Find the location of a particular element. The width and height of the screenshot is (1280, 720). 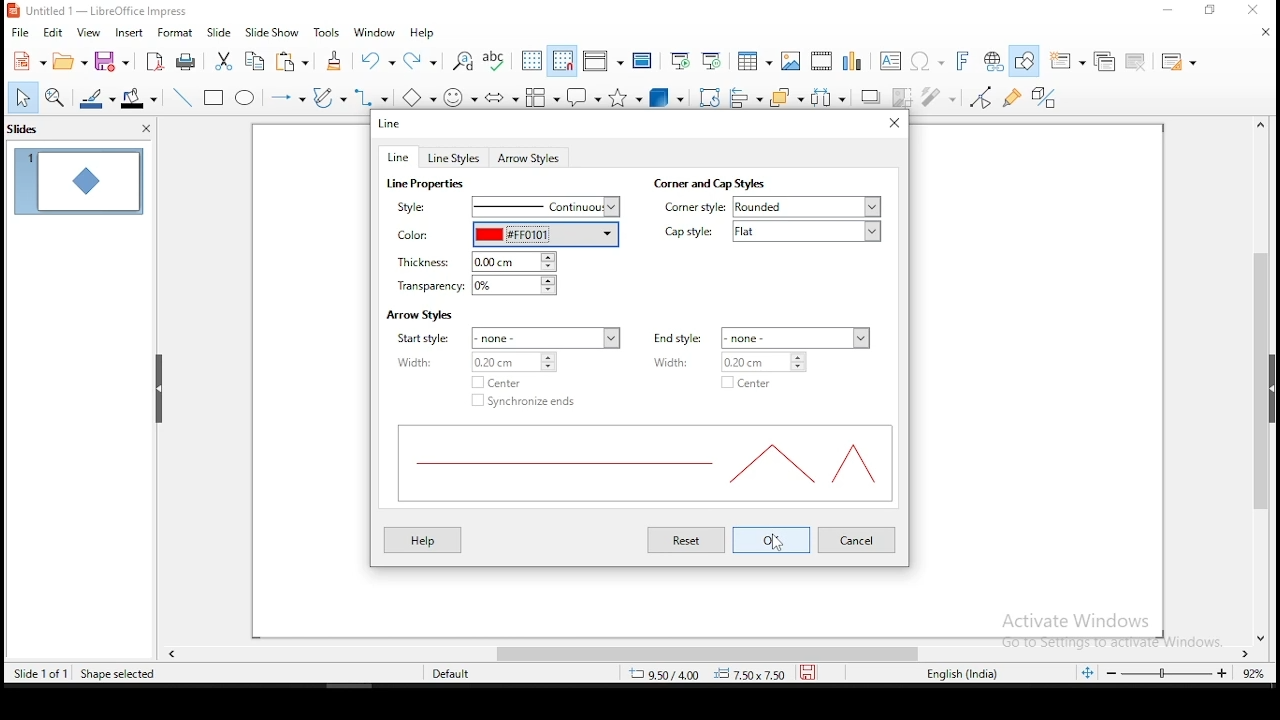

slide layout is located at coordinates (1182, 62).